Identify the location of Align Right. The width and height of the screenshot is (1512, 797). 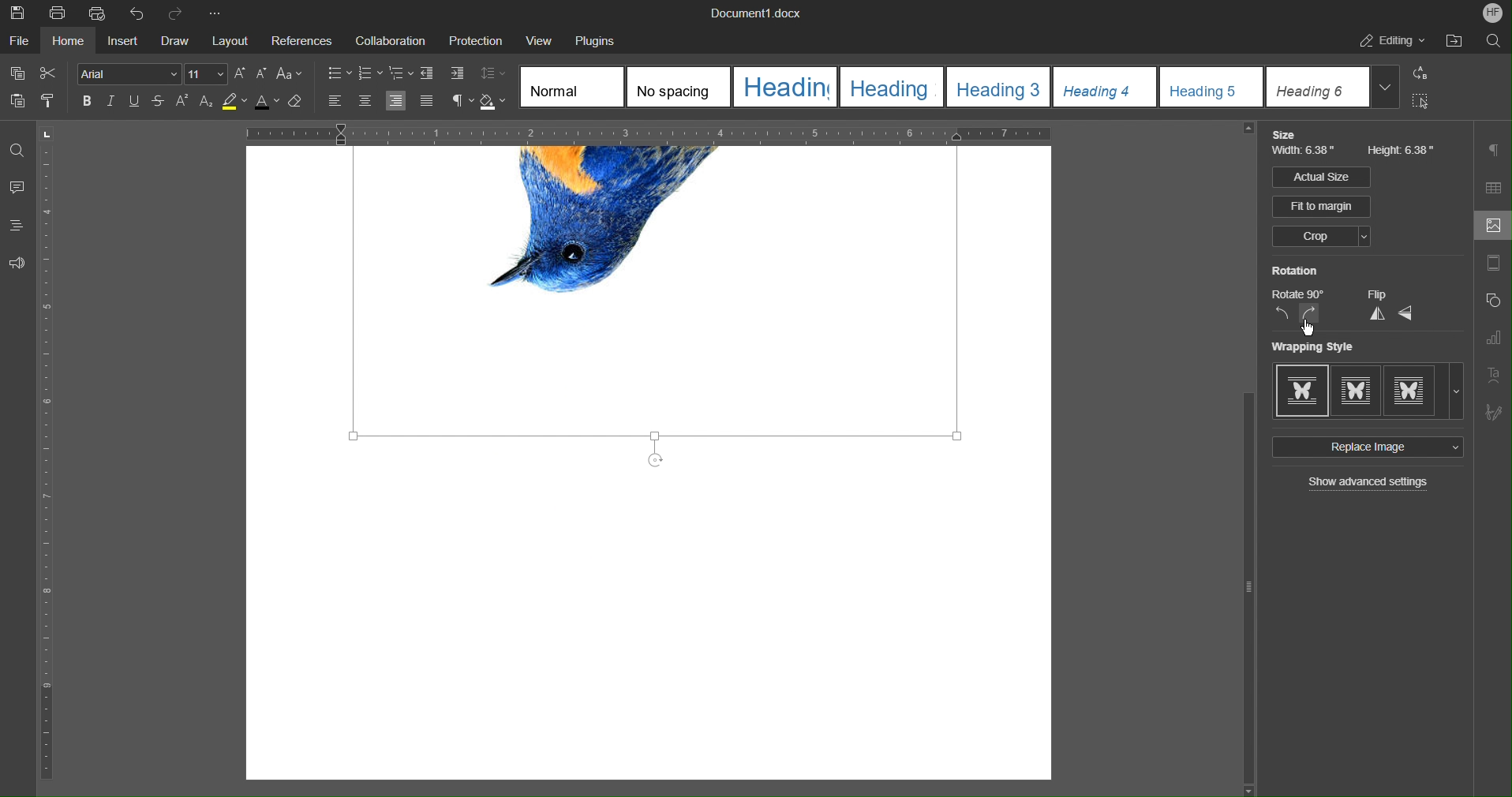
(398, 101).